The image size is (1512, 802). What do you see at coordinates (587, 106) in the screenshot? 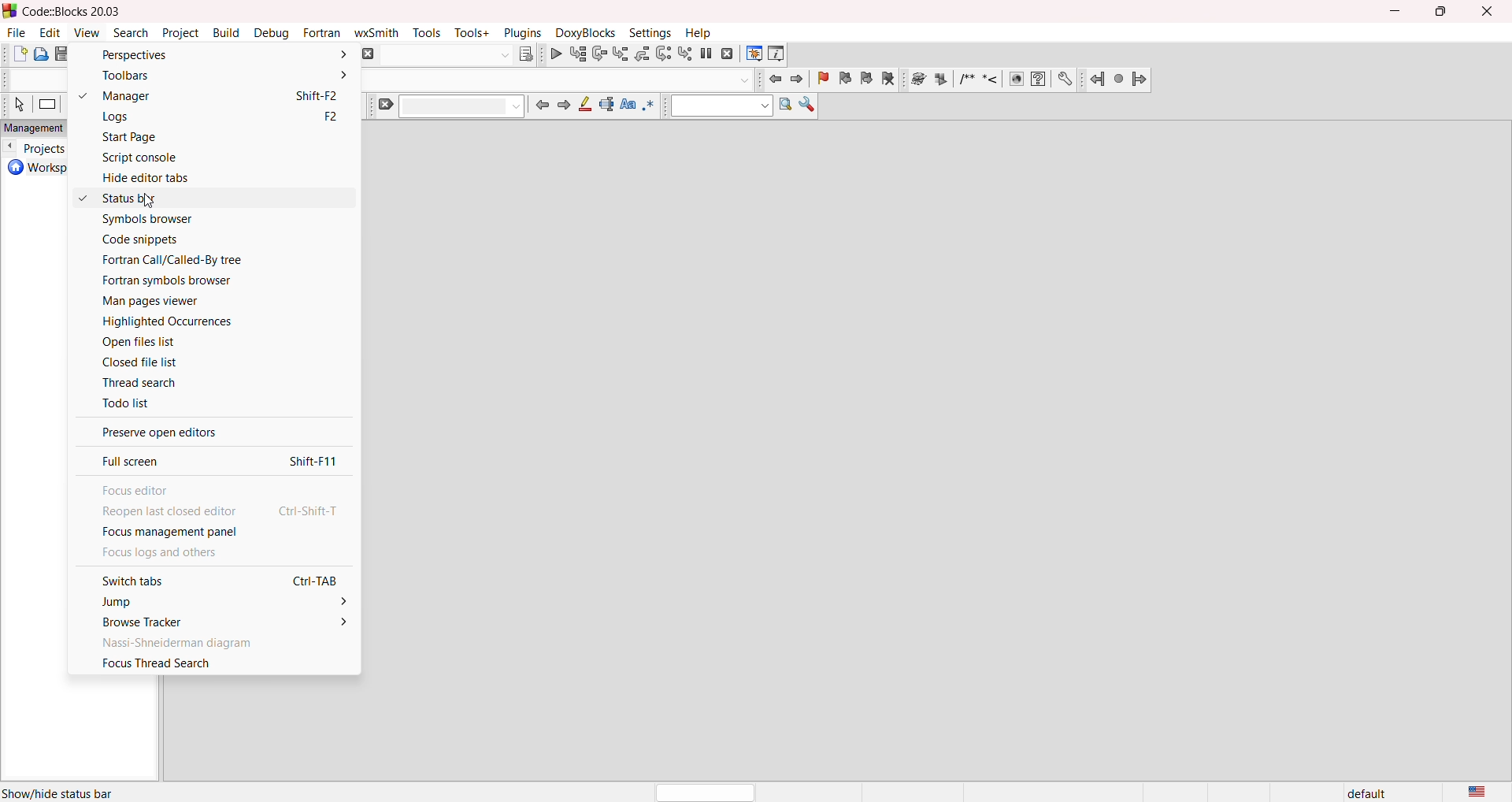
I see `highlight` at bounding box center [587, 106].